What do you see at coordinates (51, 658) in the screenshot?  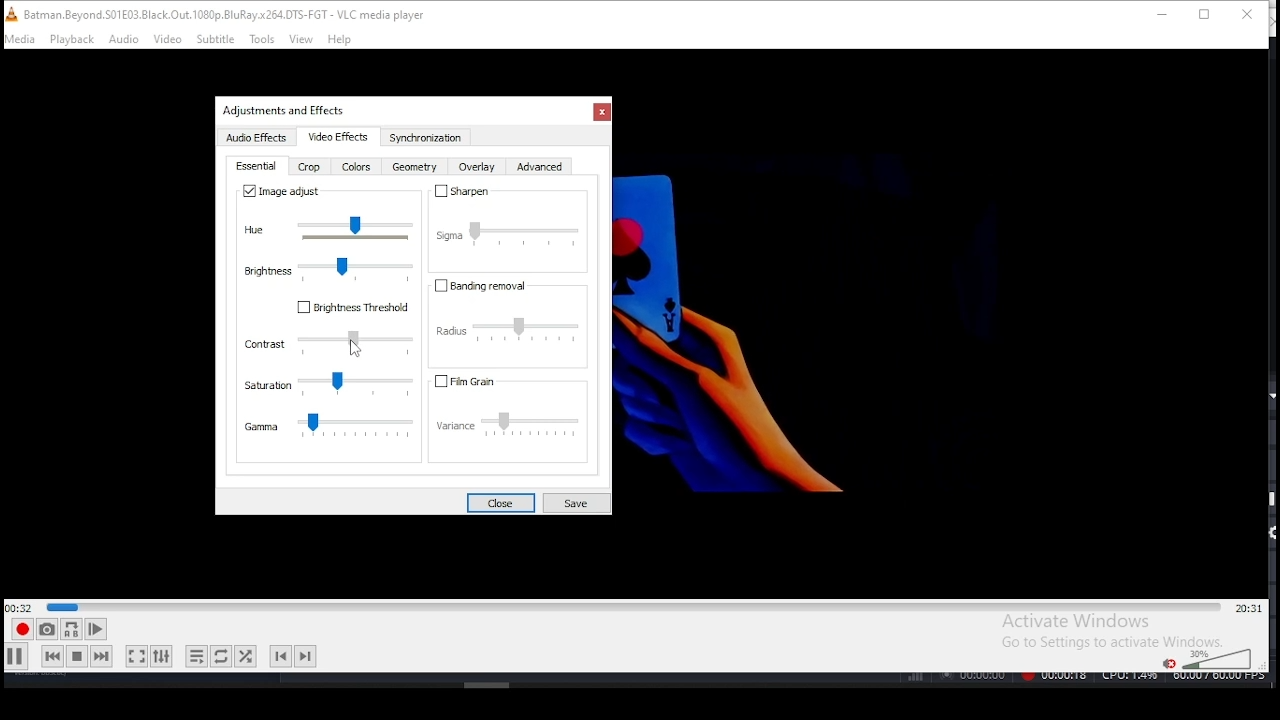 I see `previous media in track, skips backward when held` at bounding box center [51, 658].